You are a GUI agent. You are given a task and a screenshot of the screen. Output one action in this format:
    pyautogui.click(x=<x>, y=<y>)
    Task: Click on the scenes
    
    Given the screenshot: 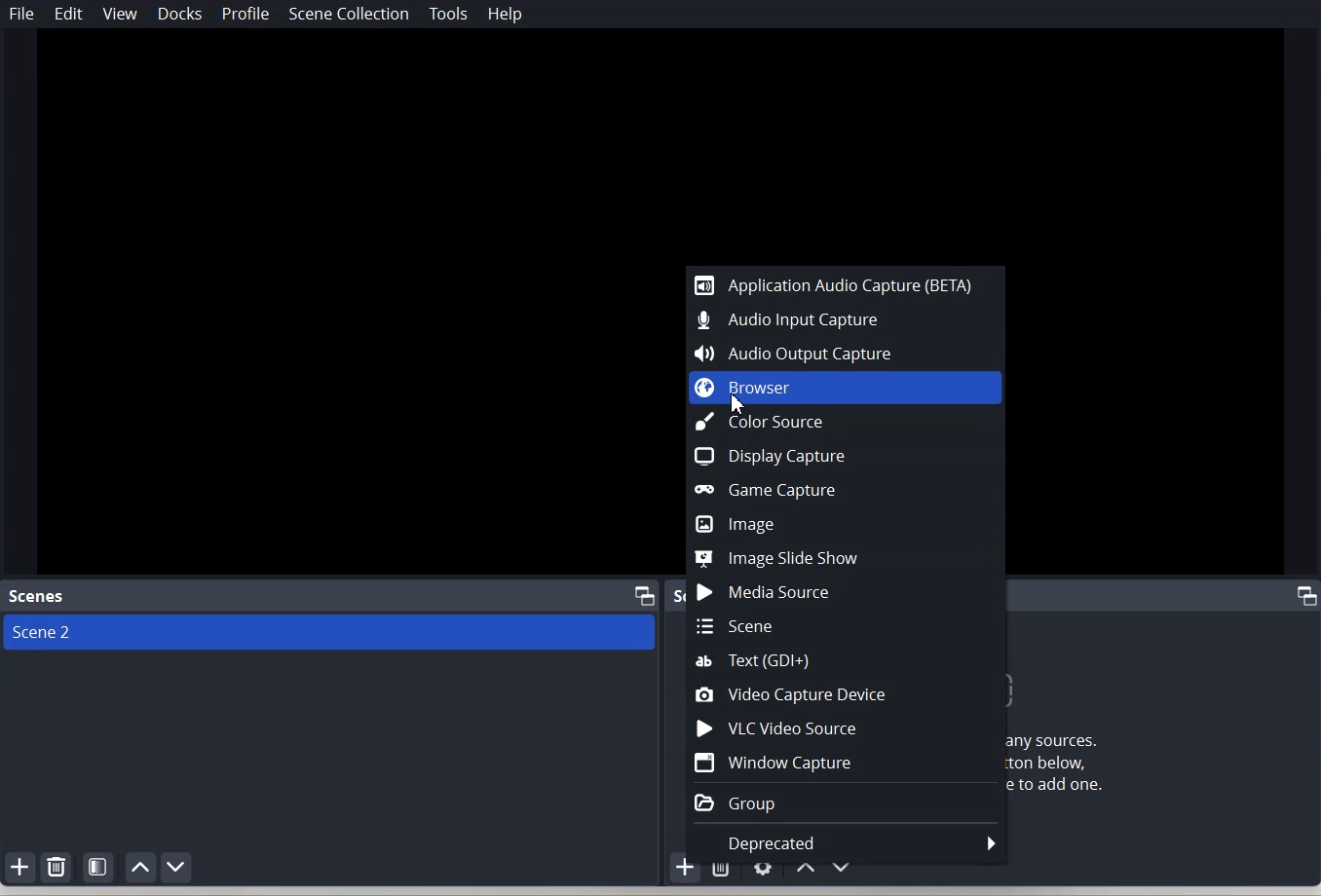 What is the action you would take?
    pyautogui.click(x=39, y=596)
    